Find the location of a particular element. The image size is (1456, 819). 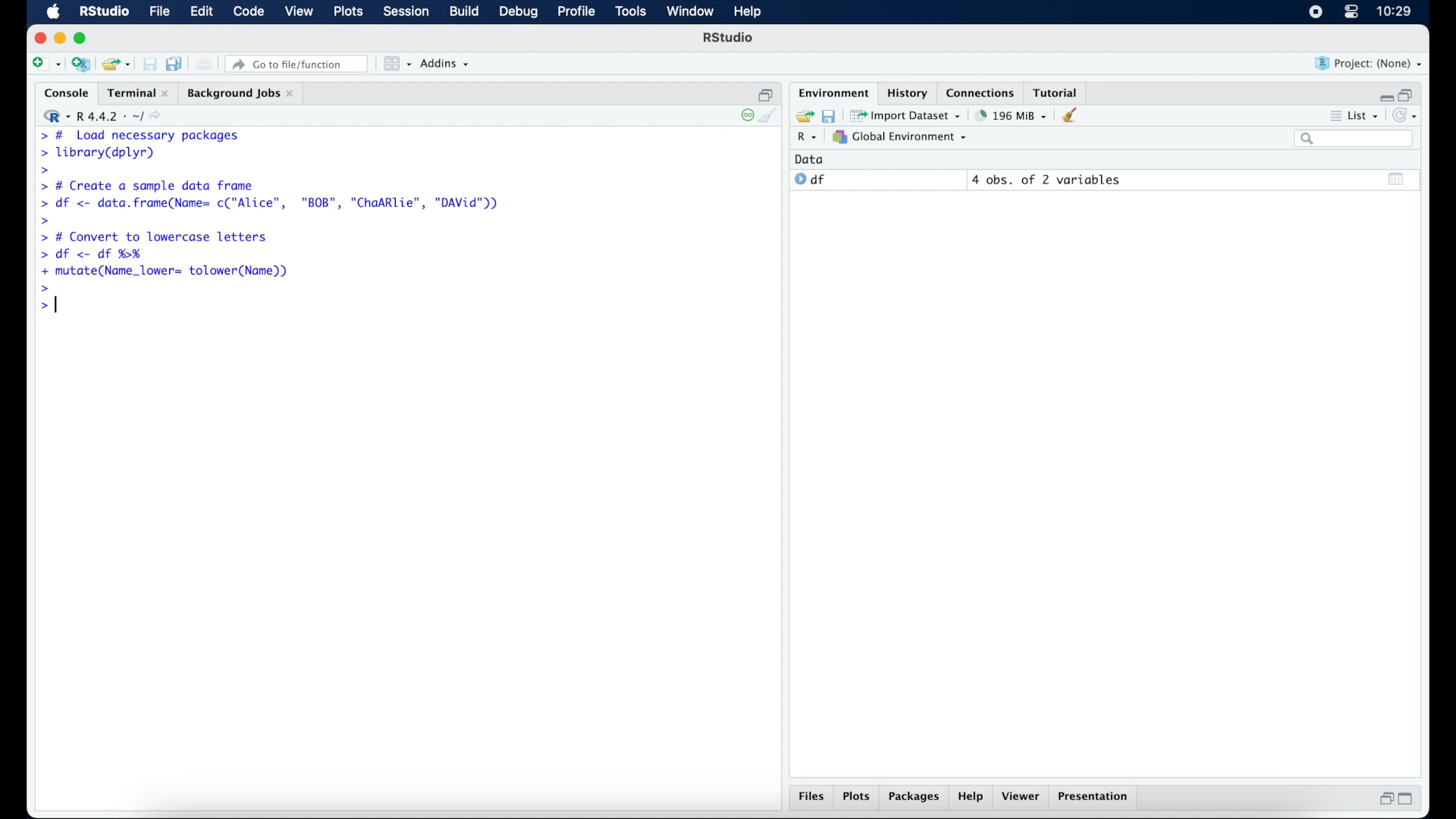

save all documents  is located at coordinates (176, 63).